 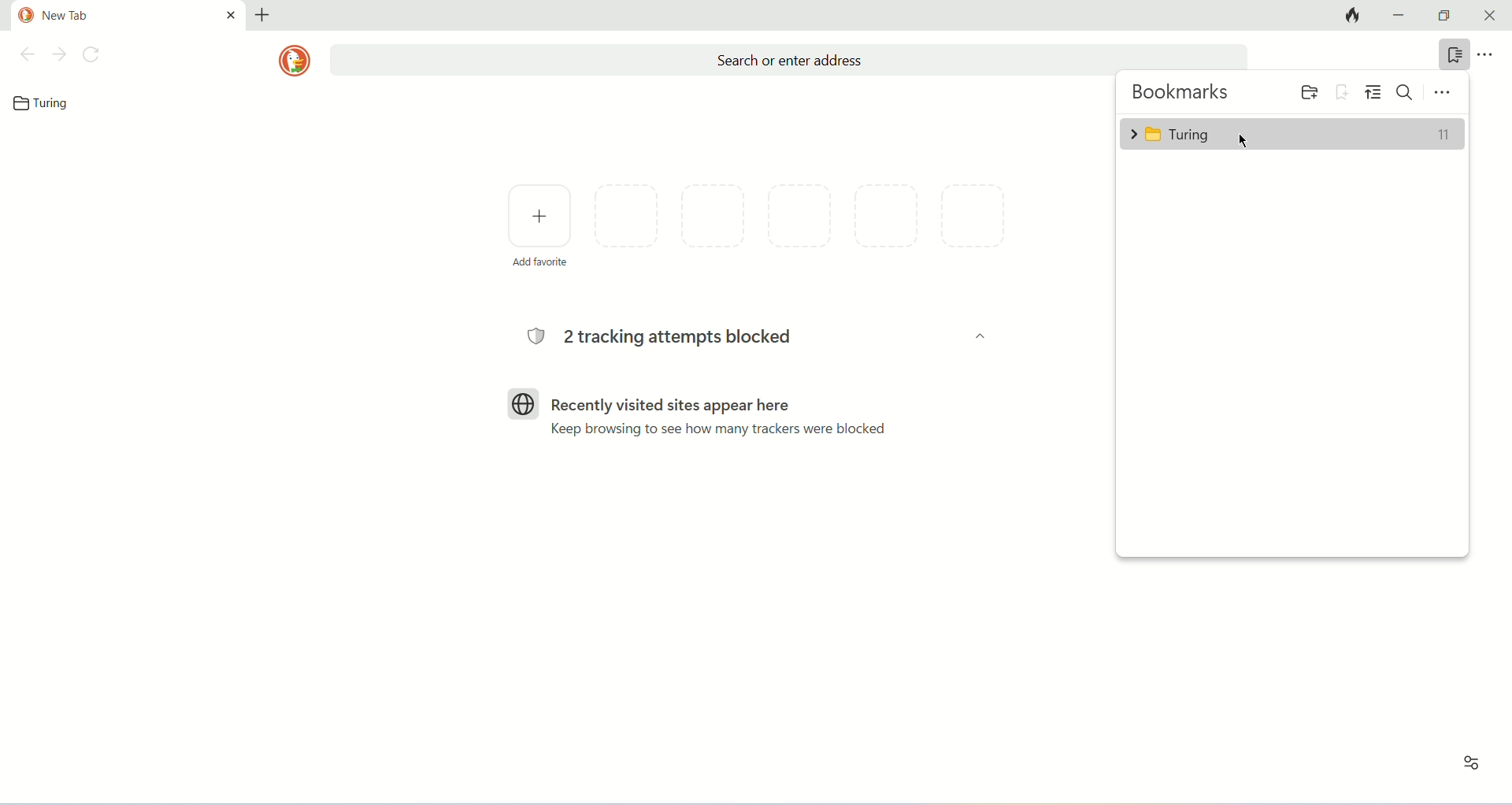 What do you see at coordinates (1306, 91) in the screenshot?
I see `add folder` at bounding box center [1306, 91].